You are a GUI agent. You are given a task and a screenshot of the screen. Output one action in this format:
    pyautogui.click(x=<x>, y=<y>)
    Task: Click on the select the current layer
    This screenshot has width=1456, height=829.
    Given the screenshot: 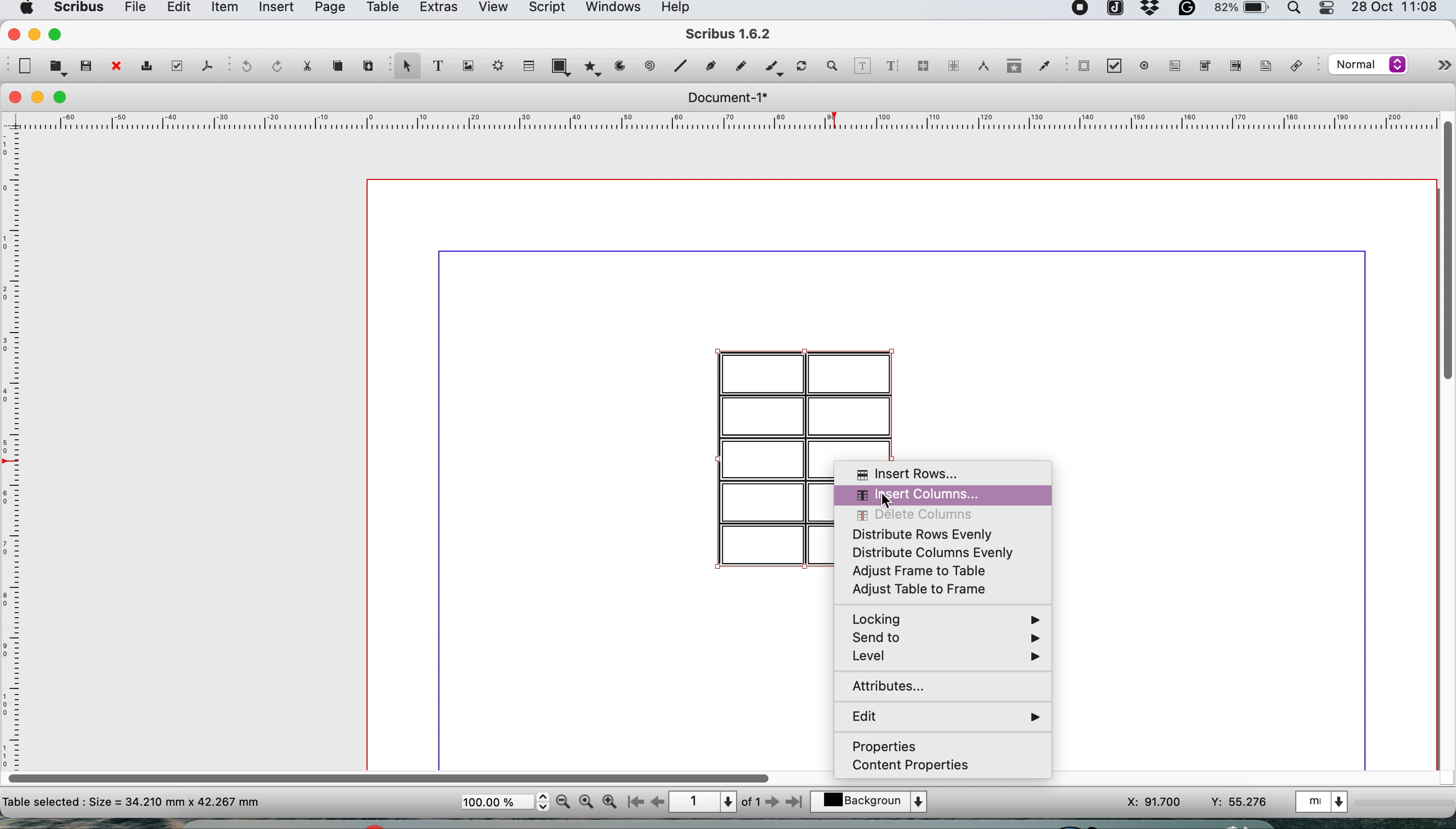 What is the action you would take?
    pyautogui.click(x=875, y=803)
    